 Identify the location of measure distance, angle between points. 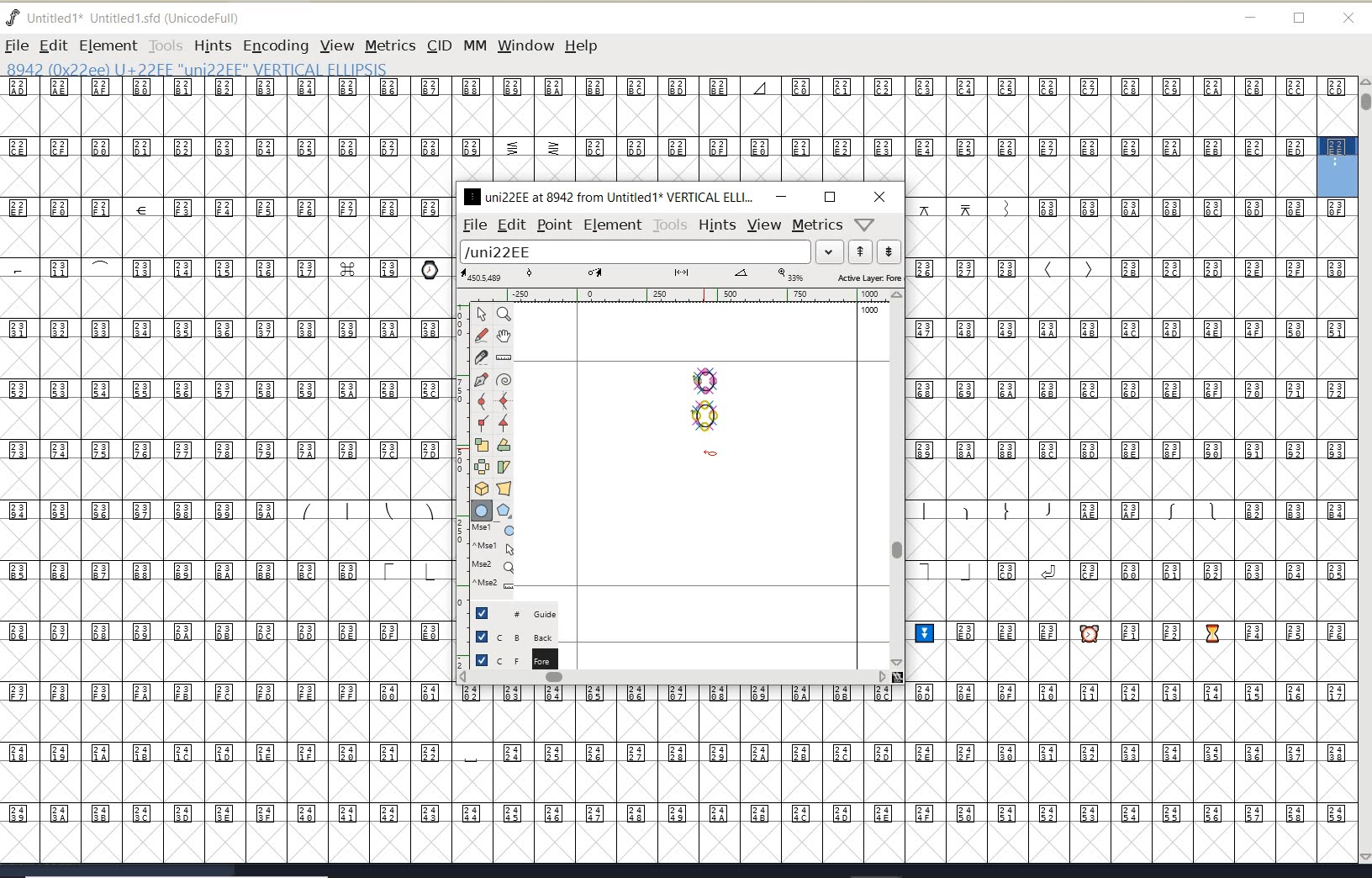
(504, 357).